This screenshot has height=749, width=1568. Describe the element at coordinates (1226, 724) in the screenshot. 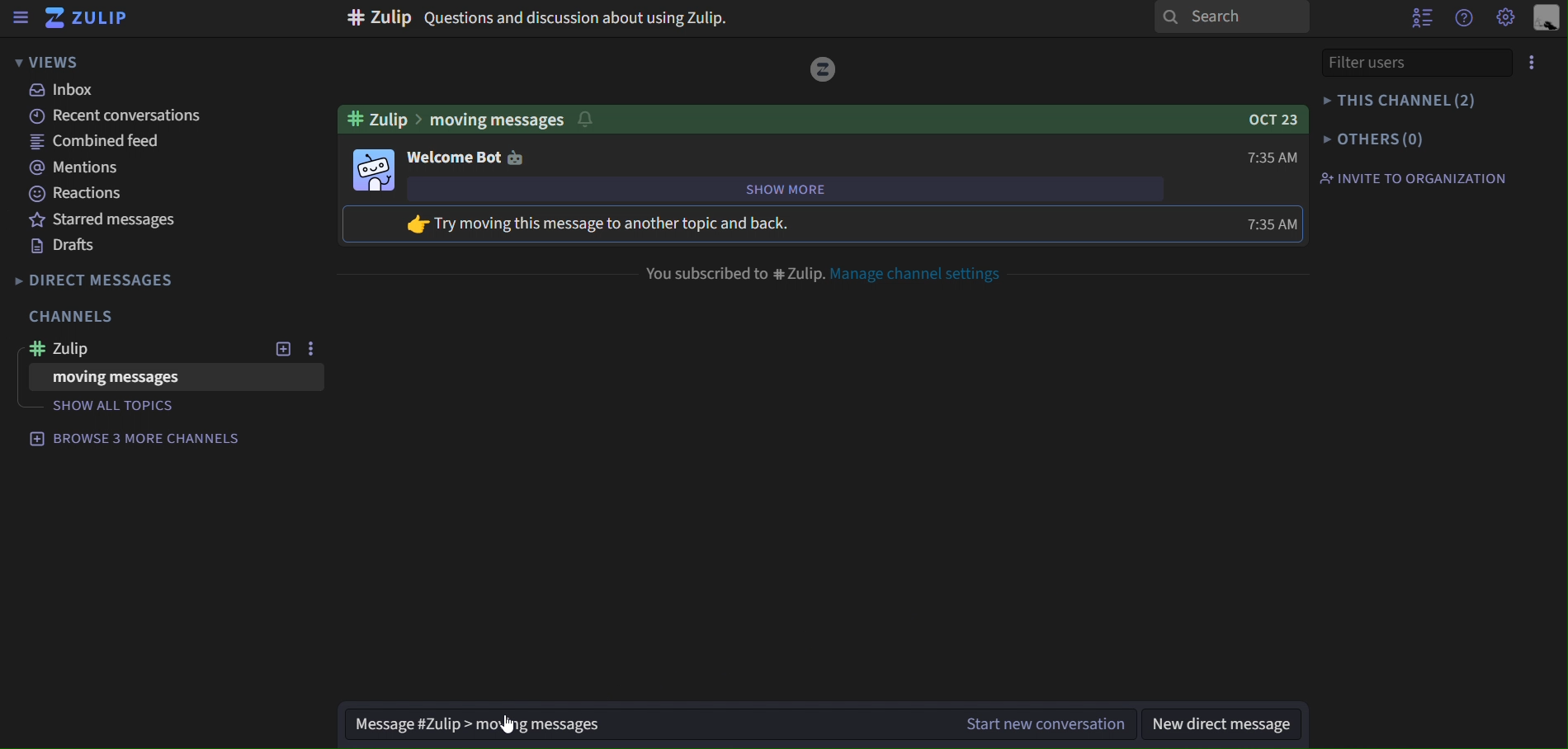

I see `new direct message` at that location.